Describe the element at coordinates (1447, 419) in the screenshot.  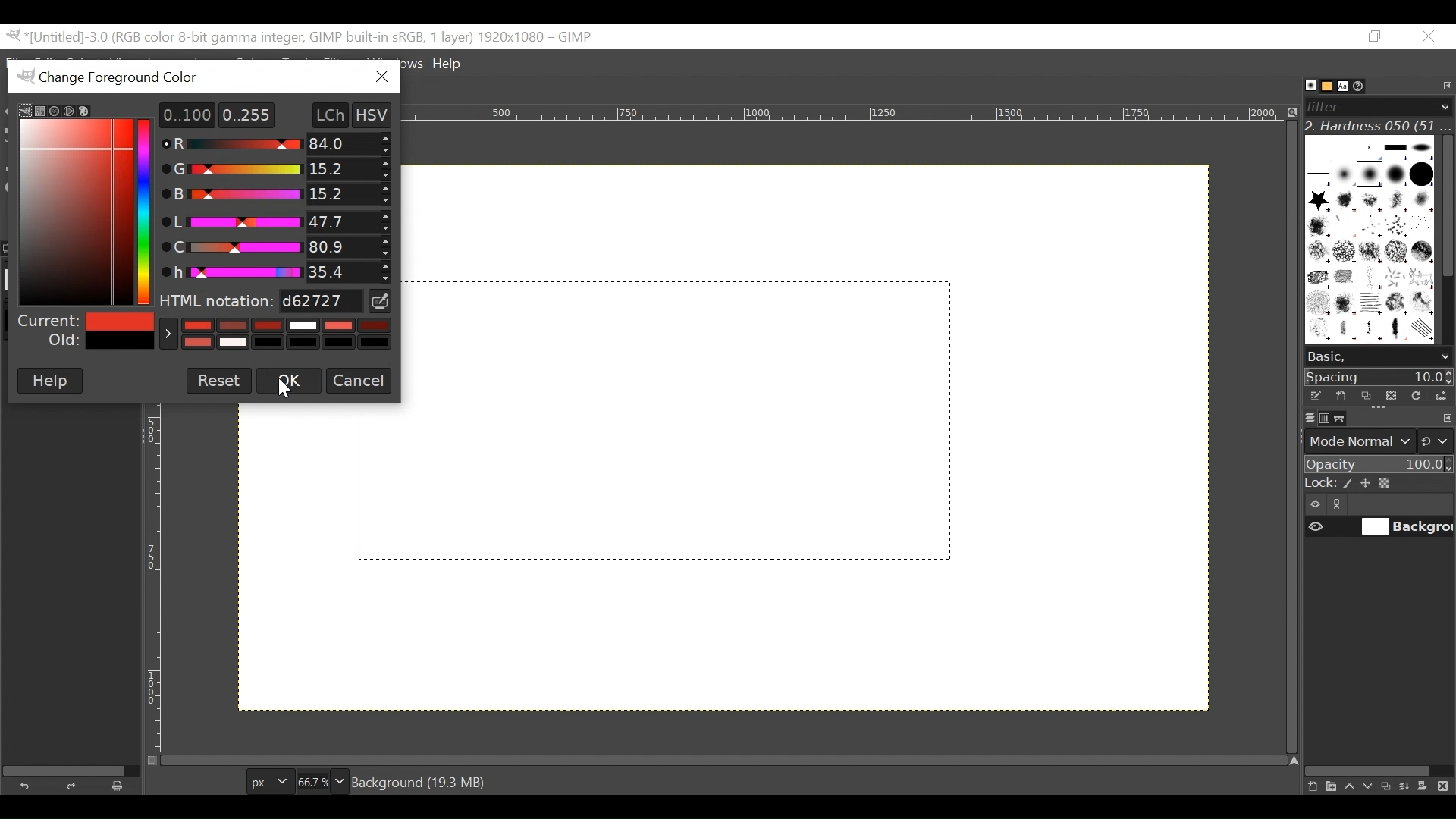
I see `configure this tab` at that location.